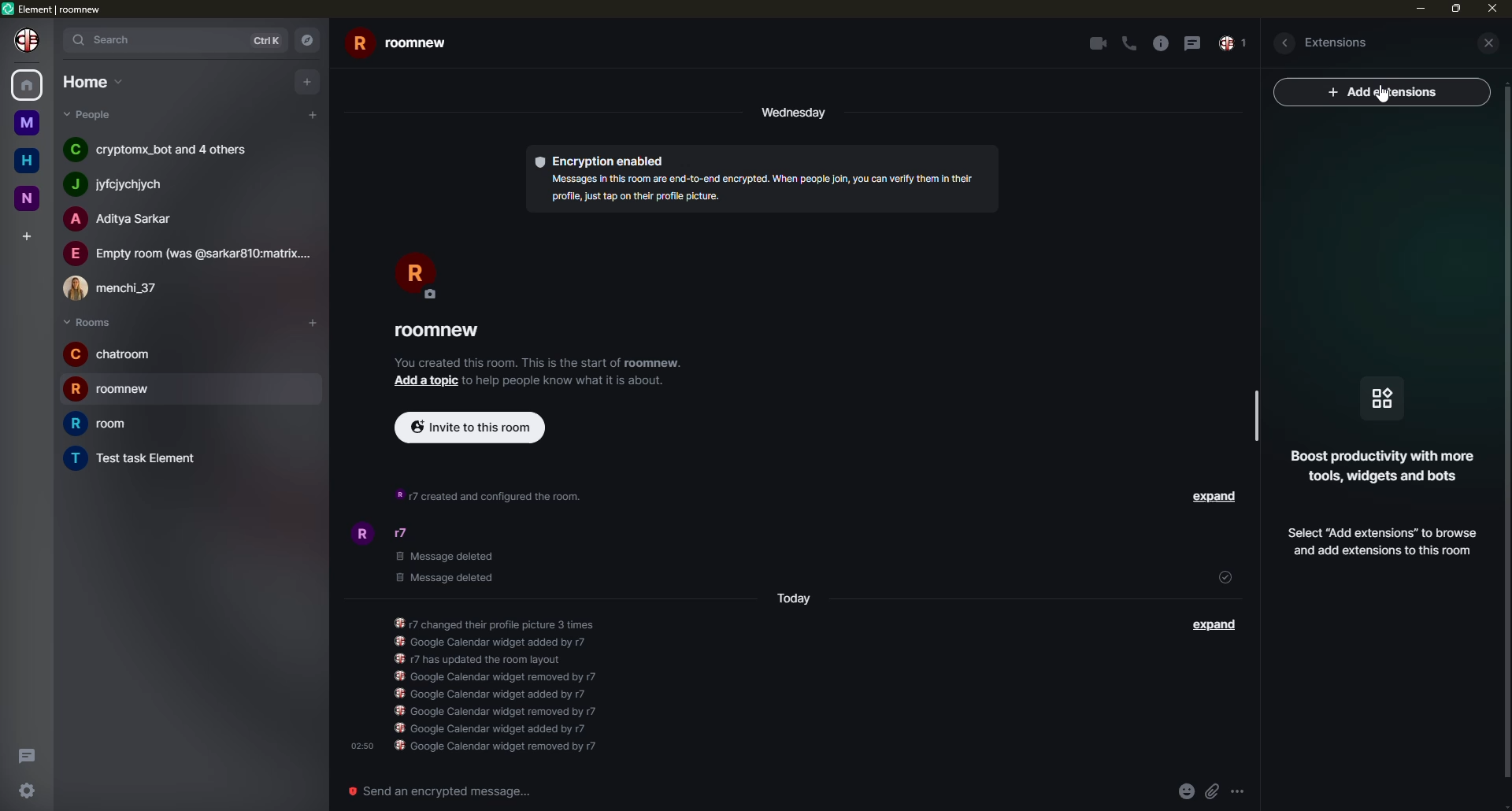 The image size is (1512, 811). I want to click on encryption enabled, so click(602, 161).